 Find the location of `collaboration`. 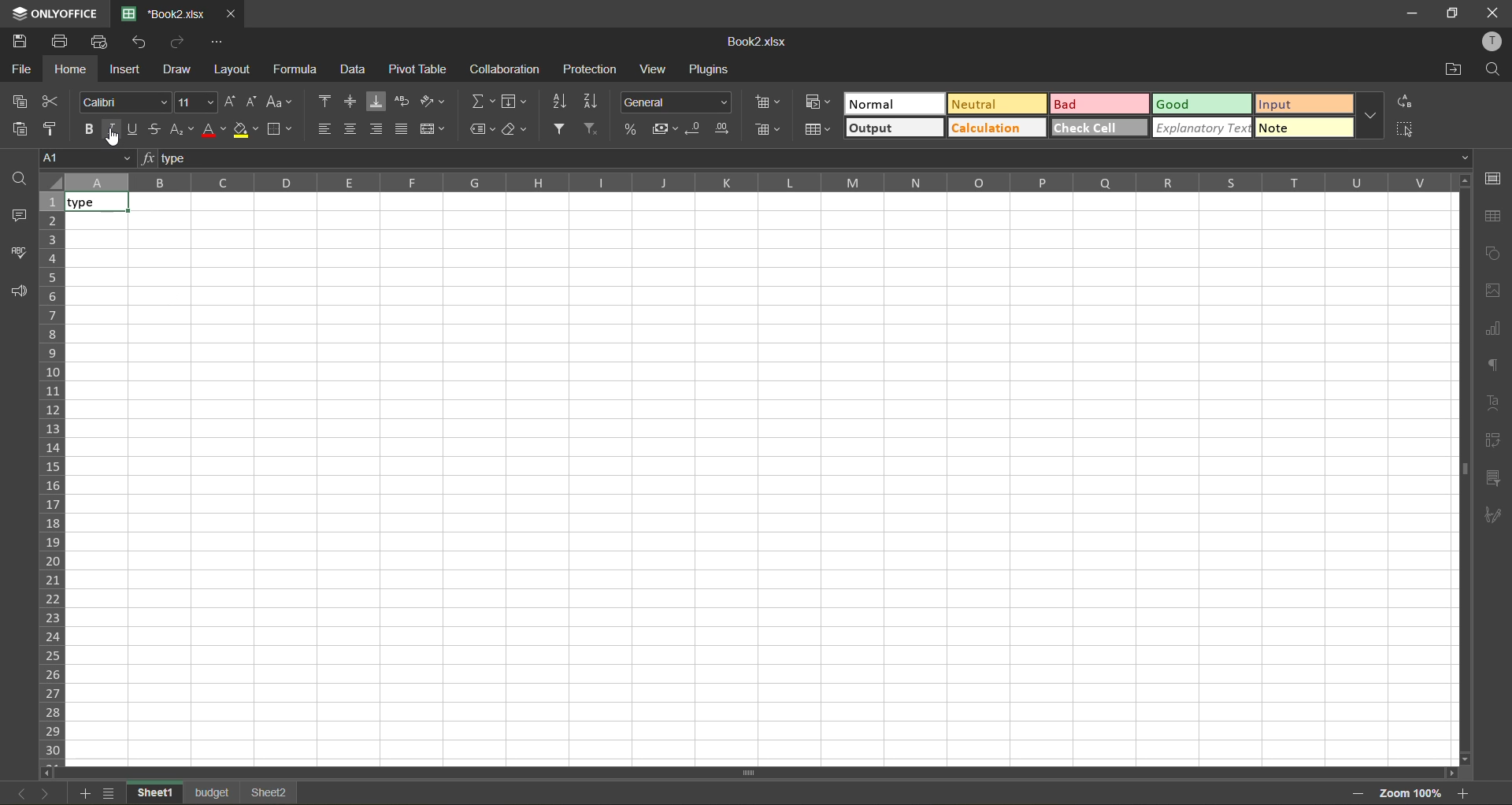

collaboration is located at coordinates (508, 69).